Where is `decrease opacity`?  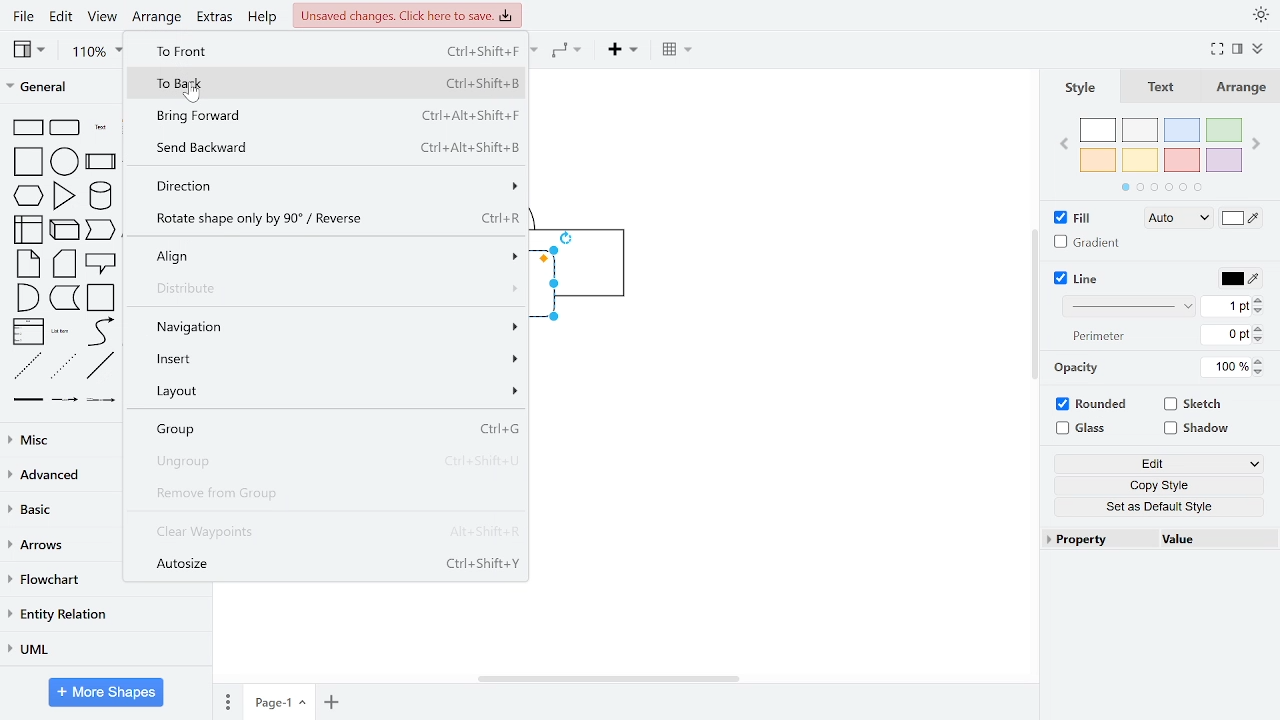 decrease opacity is located at coordinates (1259, 372).